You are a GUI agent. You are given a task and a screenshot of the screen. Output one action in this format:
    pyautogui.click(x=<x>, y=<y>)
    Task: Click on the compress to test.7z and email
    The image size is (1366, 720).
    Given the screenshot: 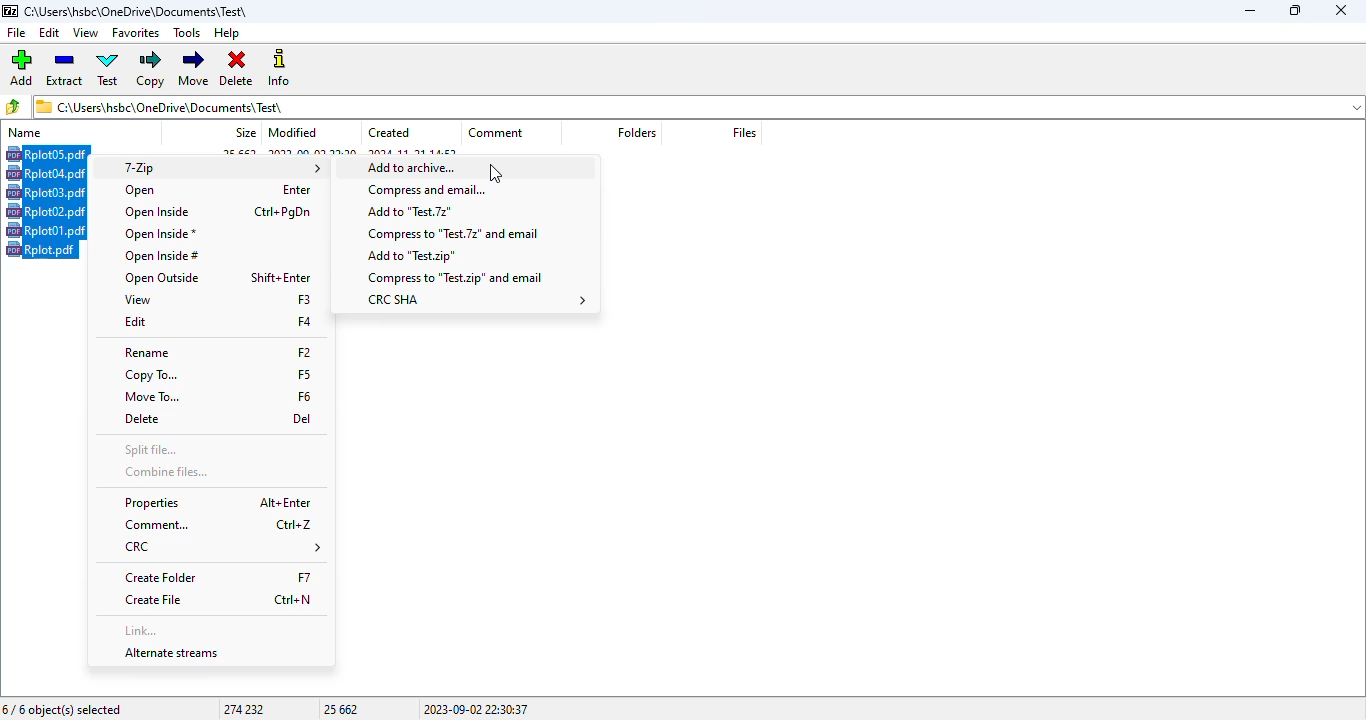 What is the action you would take?
    pyautogui.click(x=451, y=232)
    